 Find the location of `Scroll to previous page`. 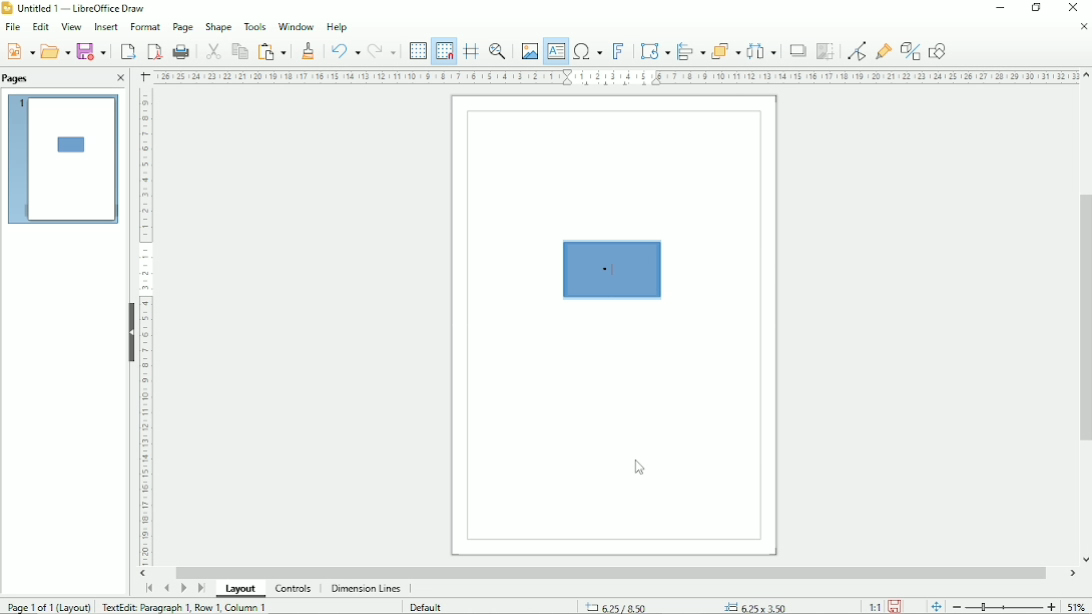

Scroll to previous page is located at coordinates (166, 588).